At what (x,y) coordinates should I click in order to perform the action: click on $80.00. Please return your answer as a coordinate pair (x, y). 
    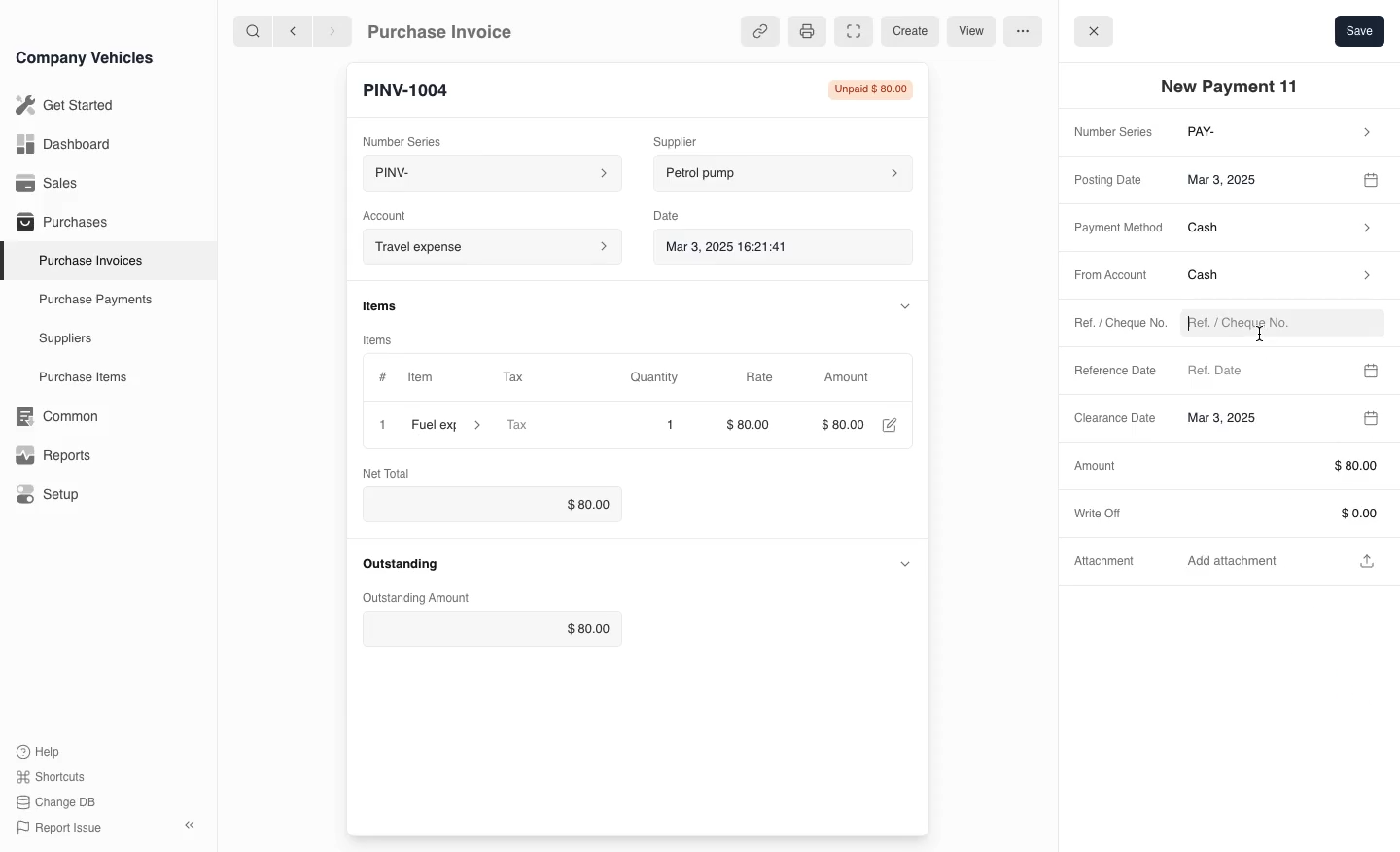
    Looking at the image, I should click on (753, 427).